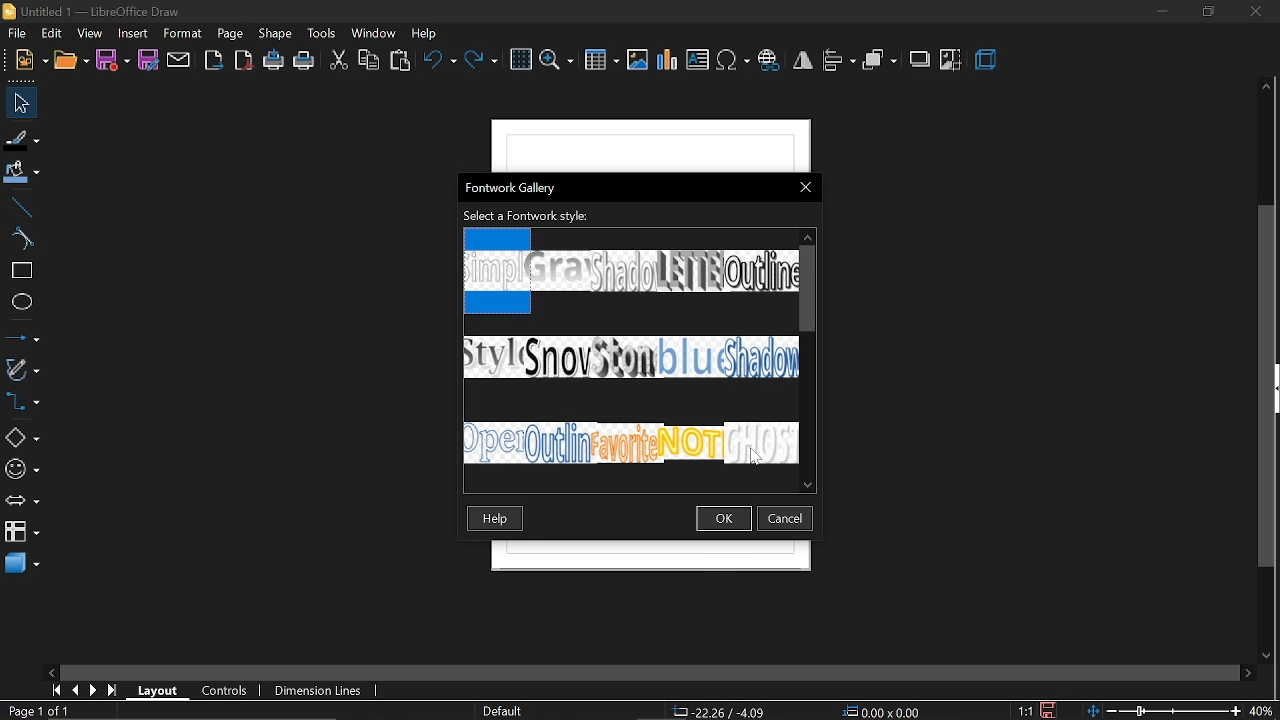 Image resolution: width=1280 pixels, height=720 pixels. I want to click on scaling factor, so click(1025, 712).